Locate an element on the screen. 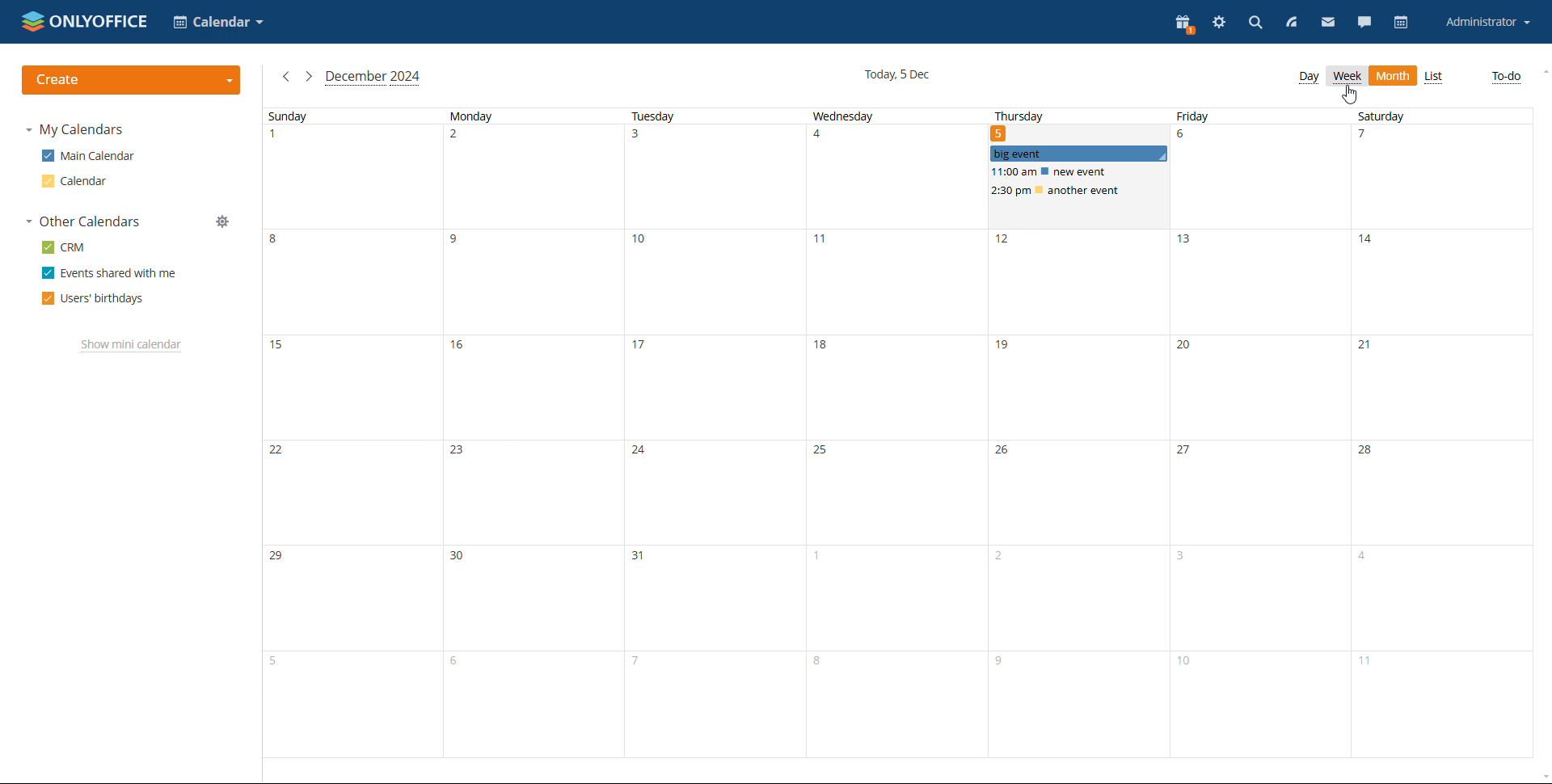 This screenshot has width=1552, height=784. current date is located at coordinates (896, 74).